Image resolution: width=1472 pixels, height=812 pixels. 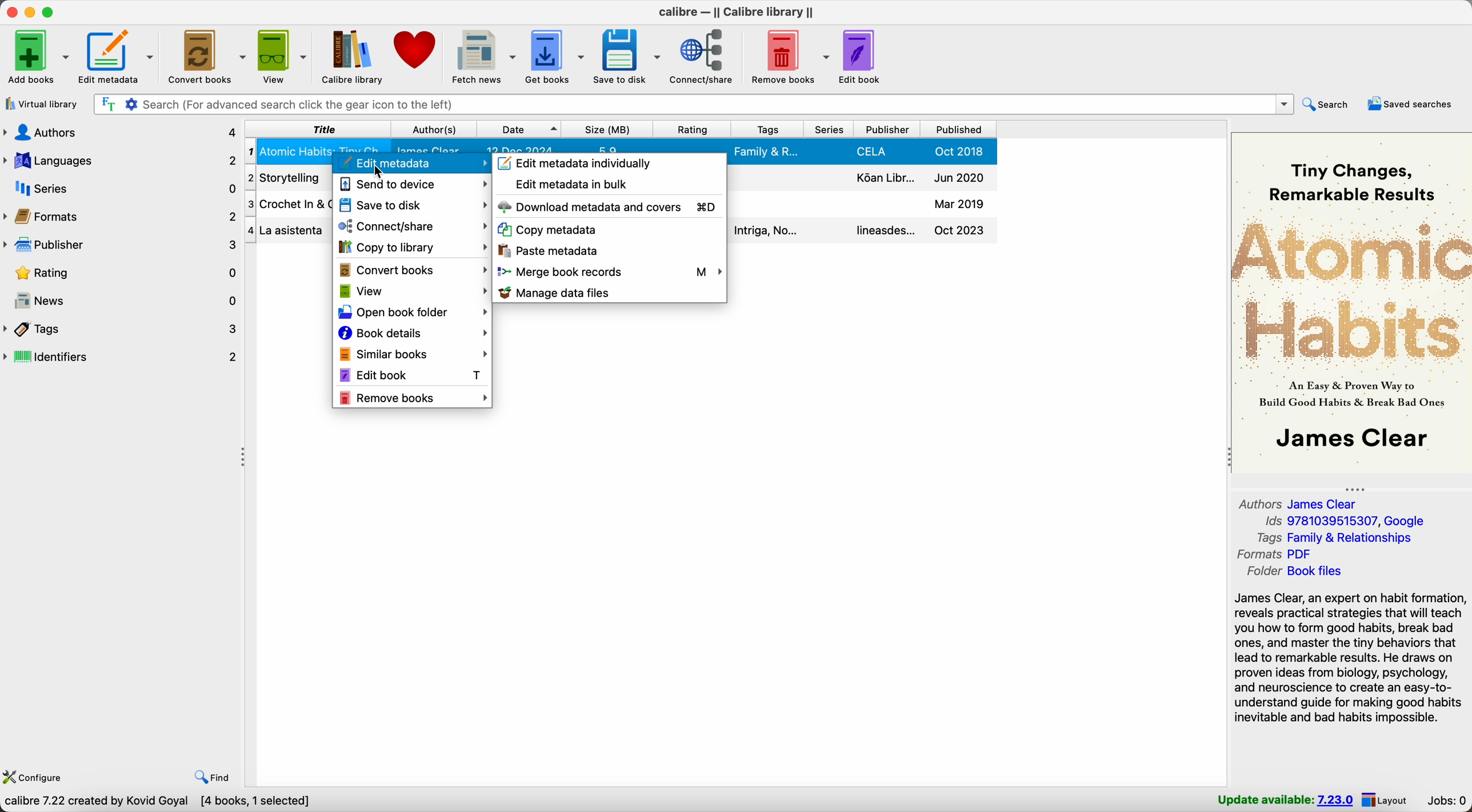 I want to click on maximize, so click(x=50, y=11).